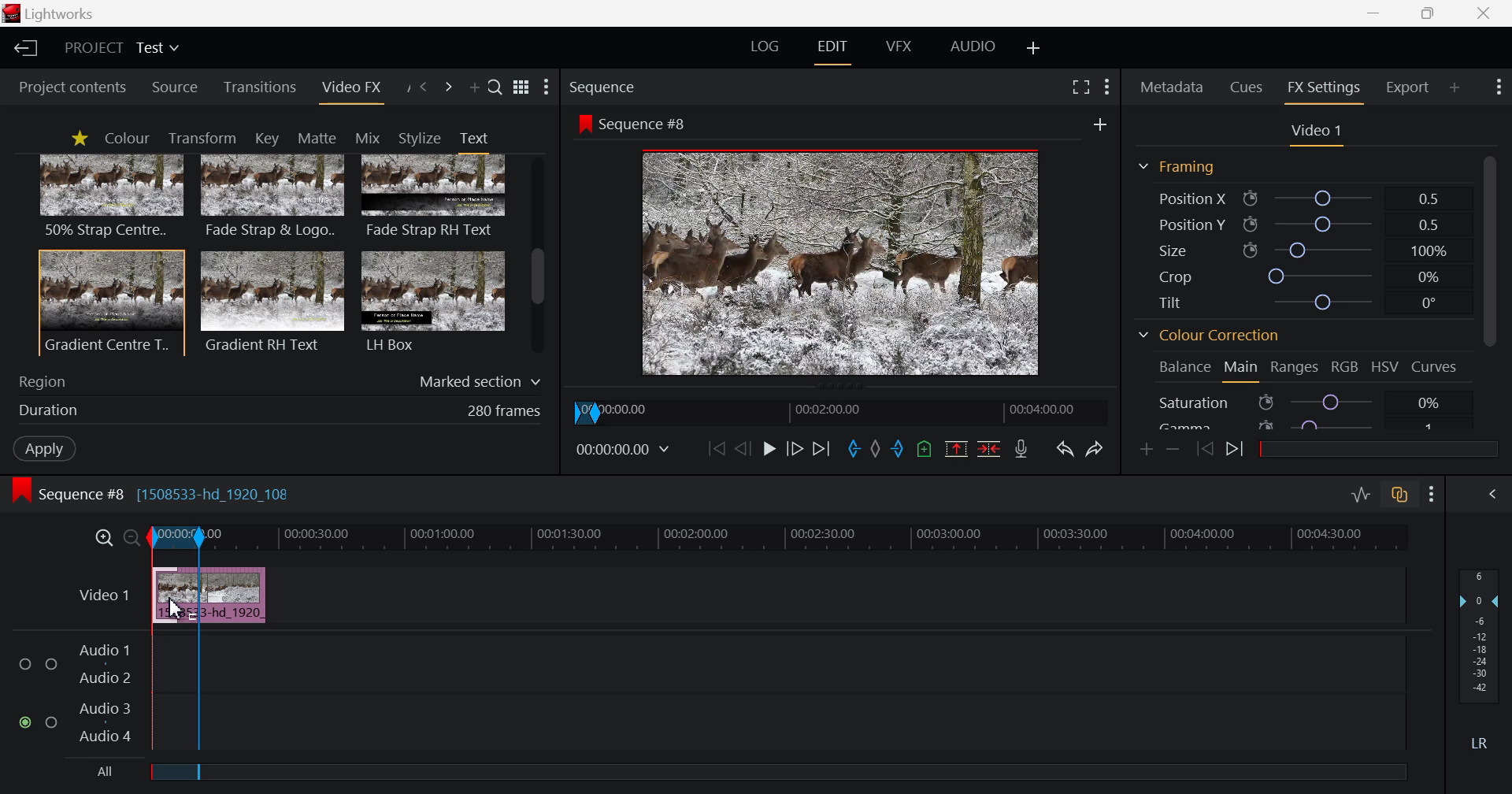 This screenshot has height=794, width=1512. What do you see at coordinates (95, 736) in the screenshot?
I see `audio 4` at bounding box center [95, 736].